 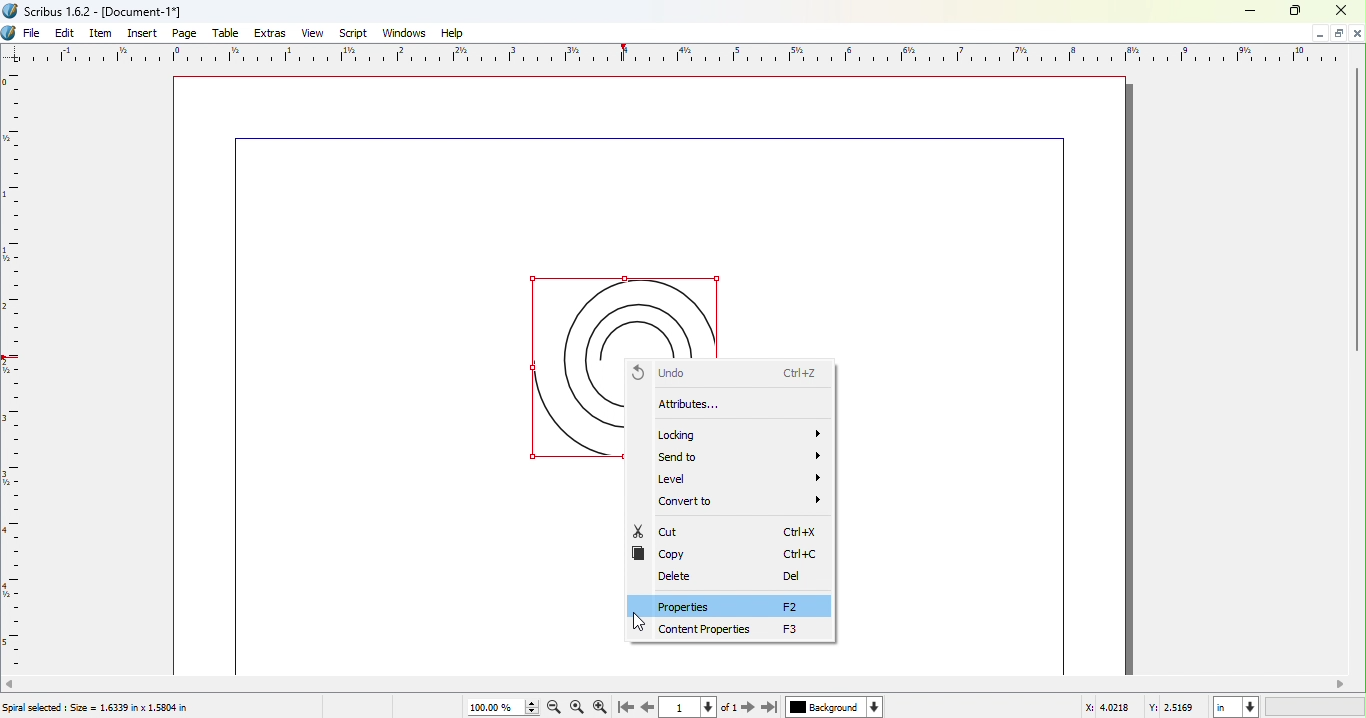 I want to click on Zoom out, so click(x=553, y=709).